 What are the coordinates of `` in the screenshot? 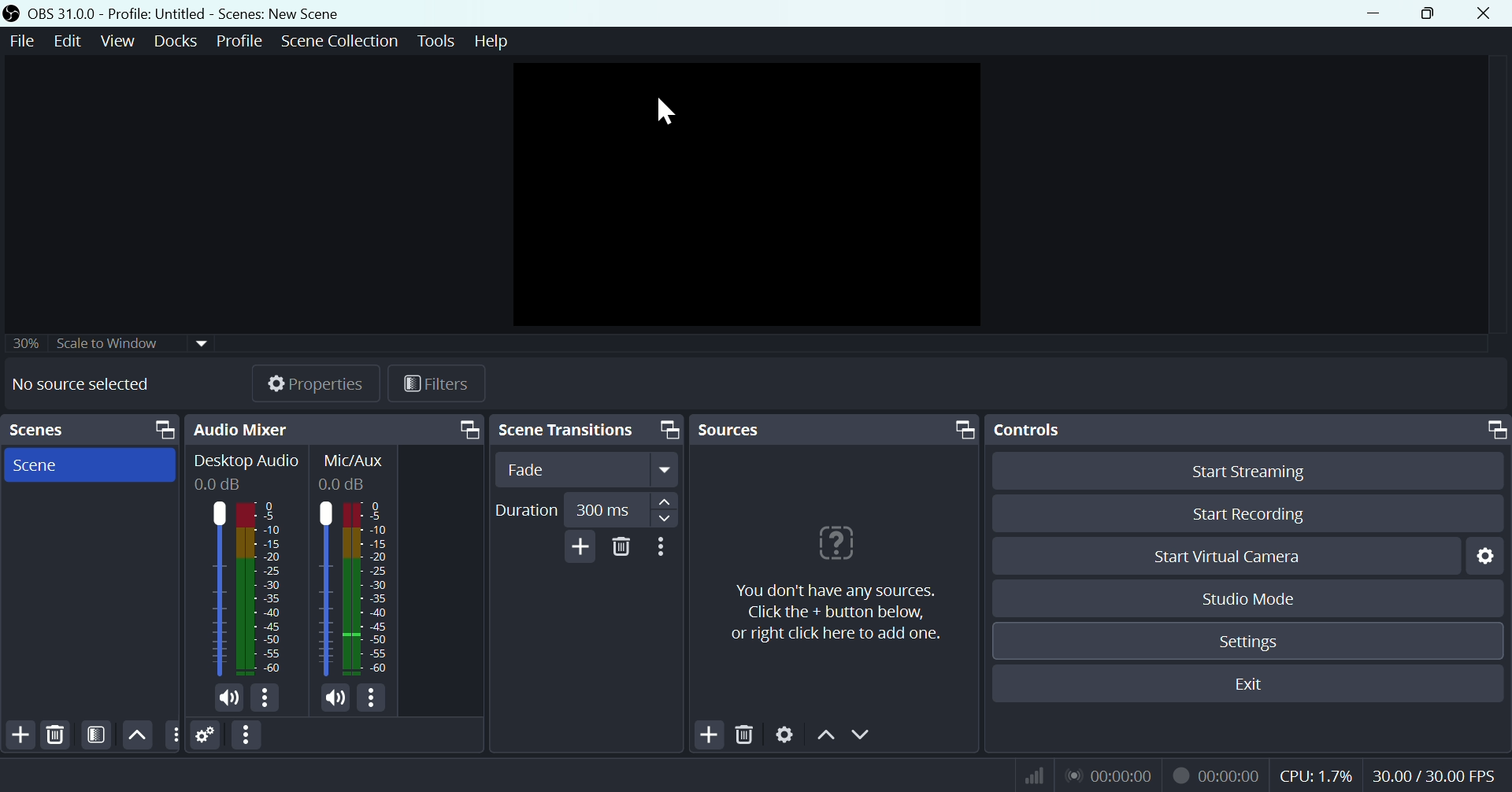 It's located at (172, 735).